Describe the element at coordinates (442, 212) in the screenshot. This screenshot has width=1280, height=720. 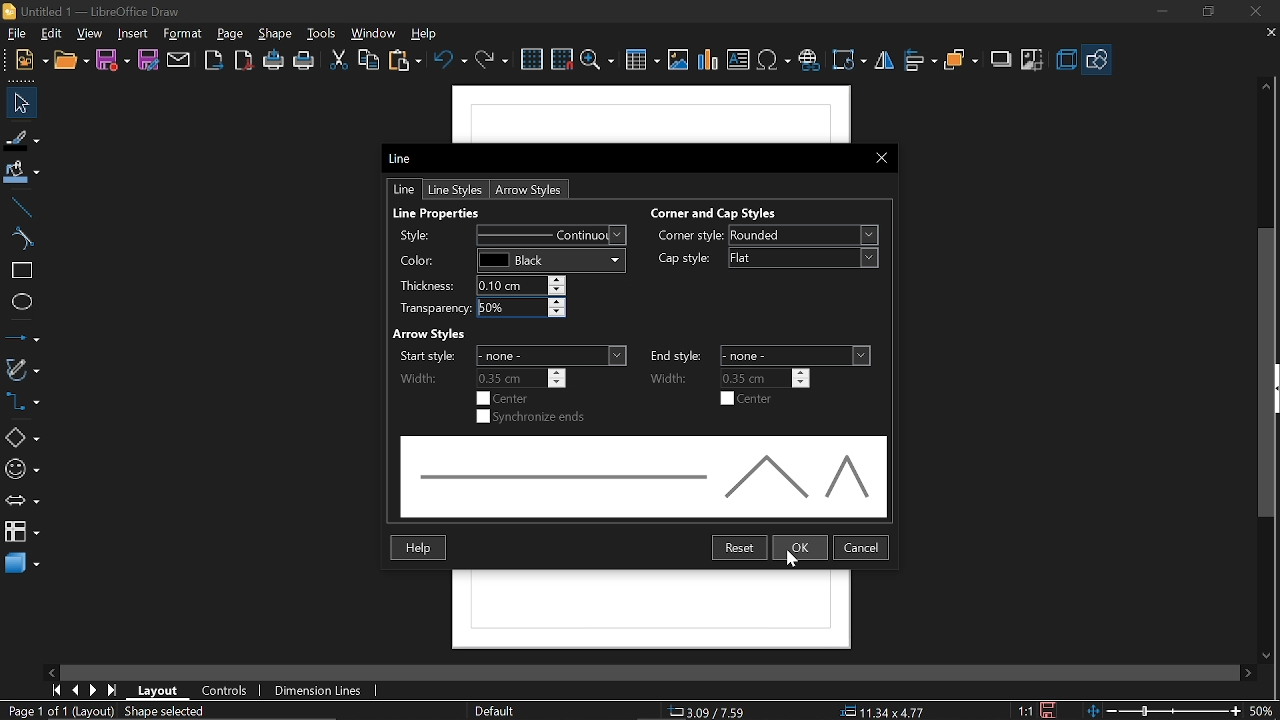
I see `Line properties` at that location.